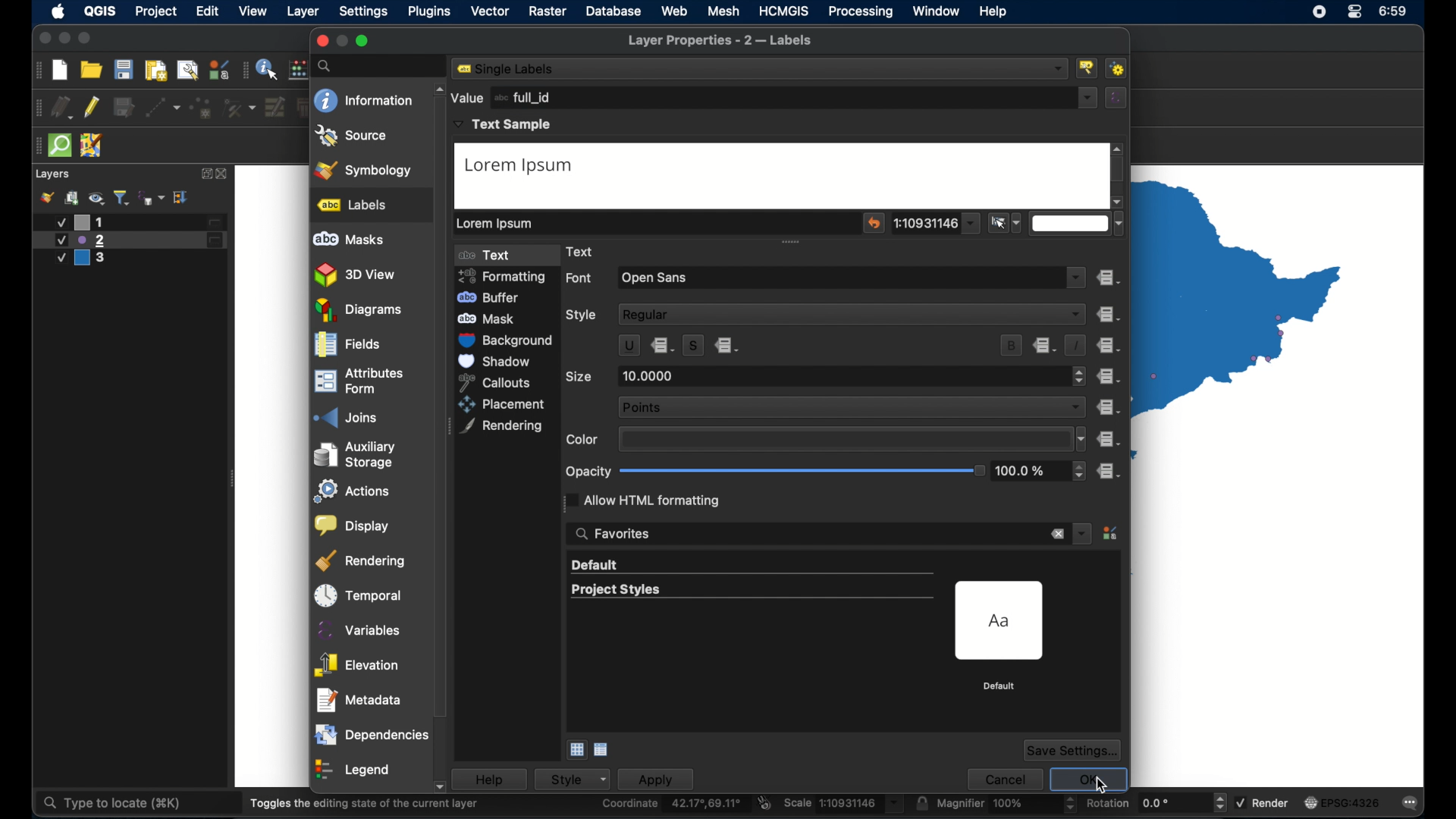 This screenshot has height=819, width=1456. Describe the element at coordinates (202, 108) in the screenshot. I see `add point feature` at that location.